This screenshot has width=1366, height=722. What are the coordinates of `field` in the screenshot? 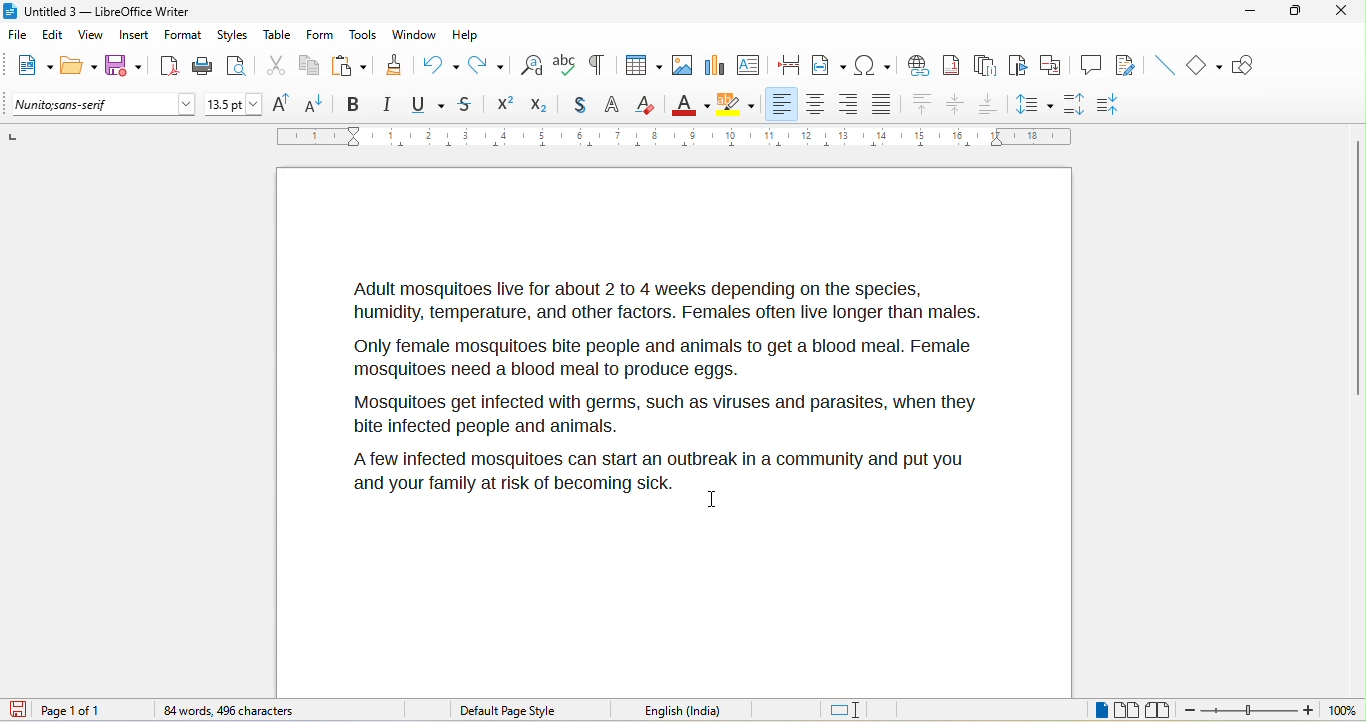 It's located at (829, 64).